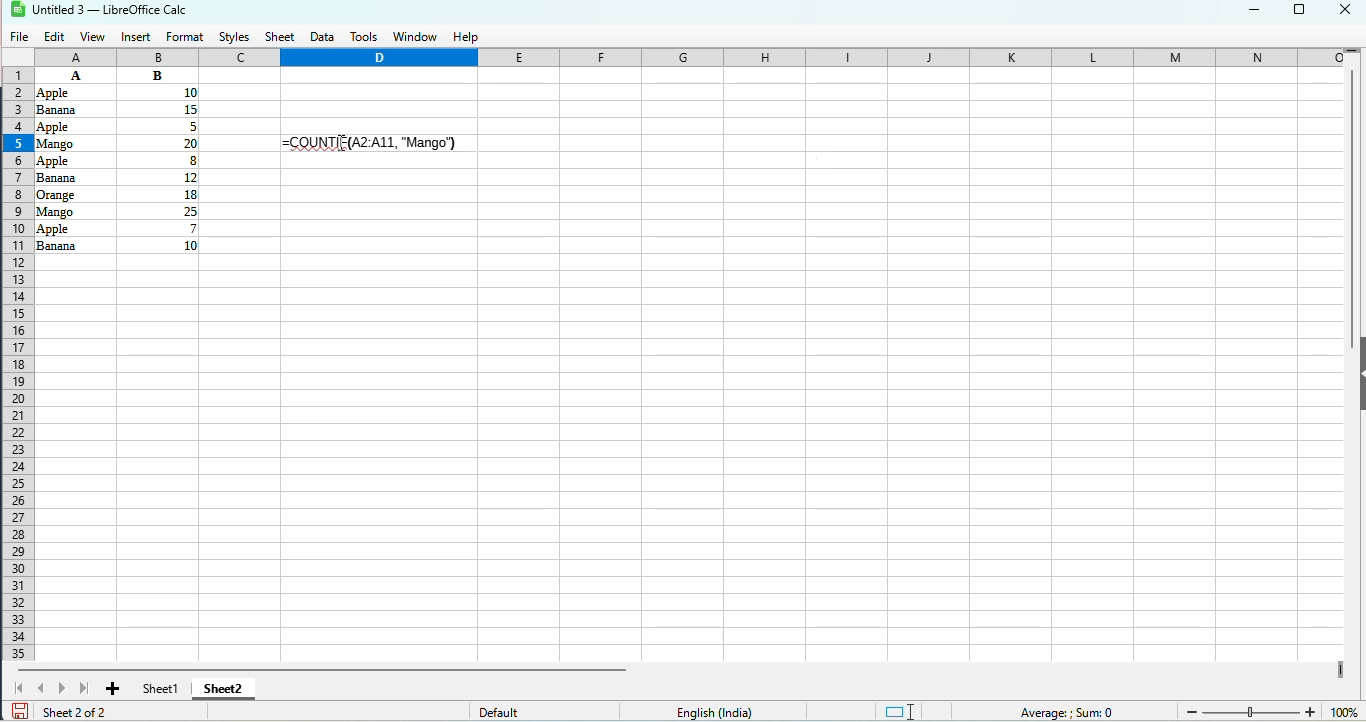 The width and height of the screenshot is (1366, 722). What do you see at coordinates (1299, 12) in the screenshot?
I see `maximize` at bounding box center [1299, 12].